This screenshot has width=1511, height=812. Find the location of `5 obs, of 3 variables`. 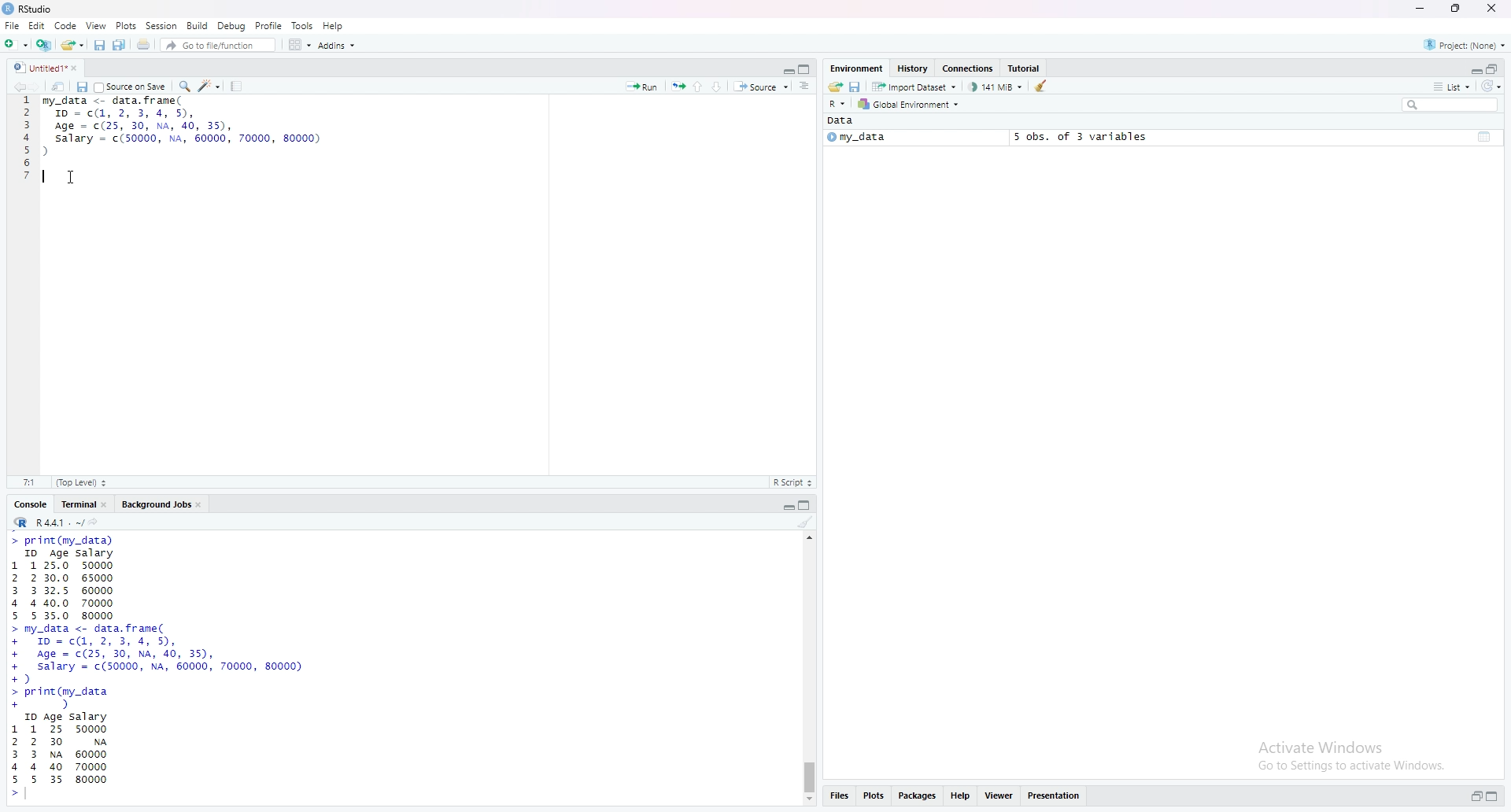

5 obs, of 3 variables is located at coordinates (1074, 136).